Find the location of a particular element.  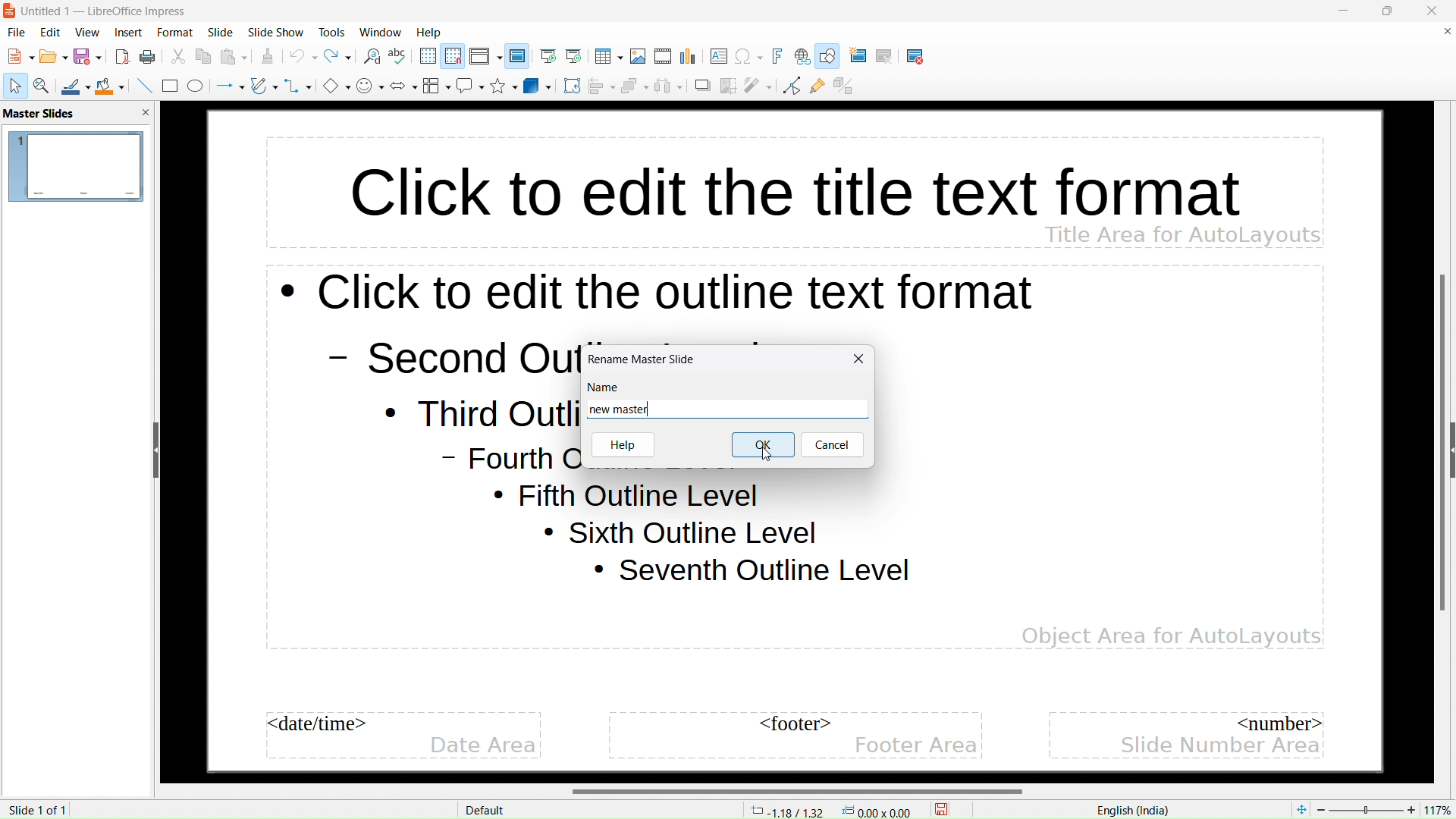

toggle point edit mode is located at coordinates (792, 86).